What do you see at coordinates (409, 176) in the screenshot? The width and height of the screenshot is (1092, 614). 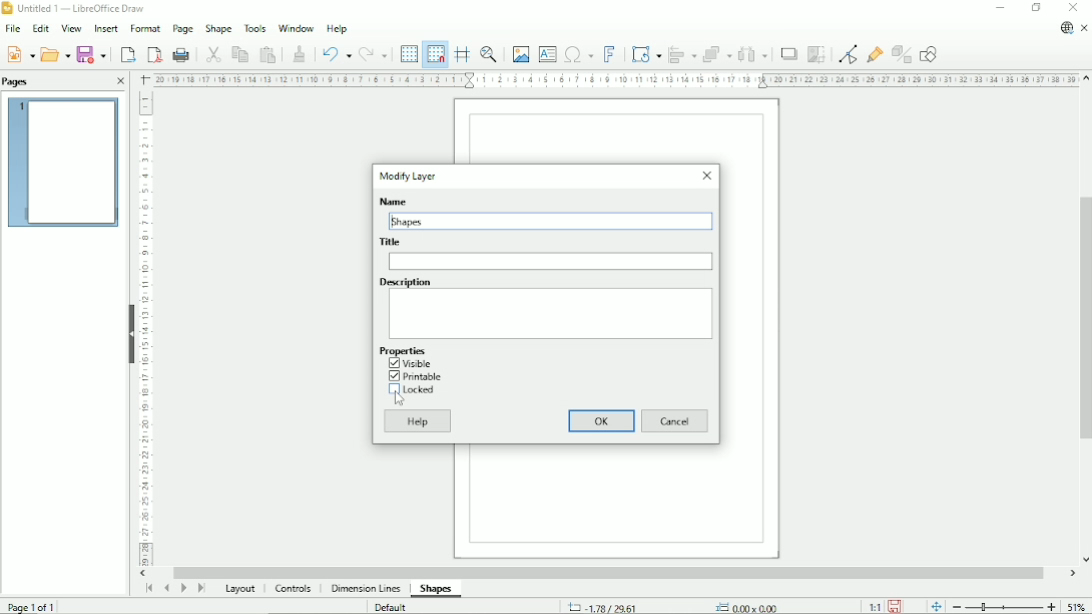 I see `Modify layer` at bounding box center [409, 176].